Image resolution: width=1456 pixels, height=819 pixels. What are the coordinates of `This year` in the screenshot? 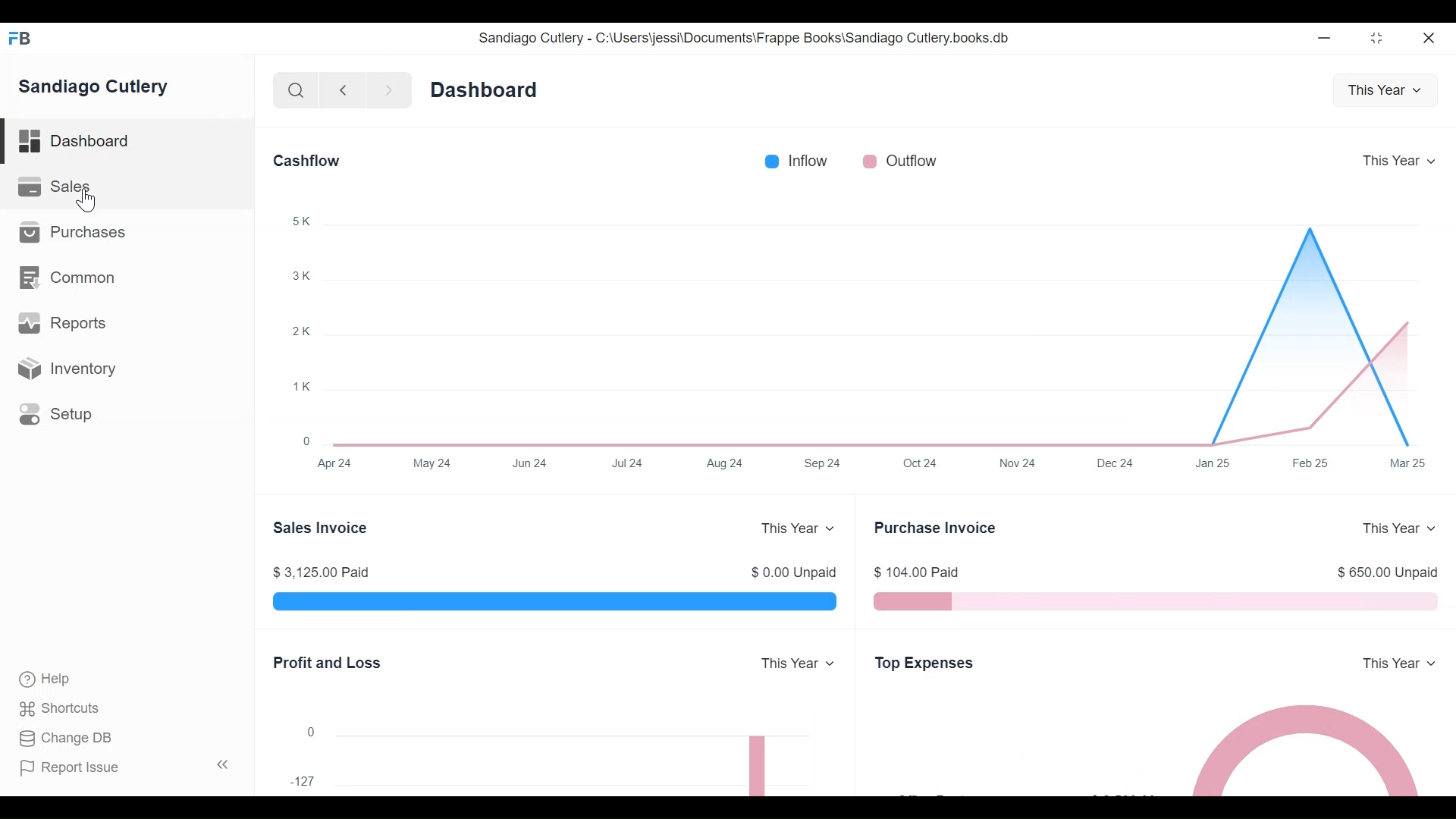 It's located at (1395, 529).